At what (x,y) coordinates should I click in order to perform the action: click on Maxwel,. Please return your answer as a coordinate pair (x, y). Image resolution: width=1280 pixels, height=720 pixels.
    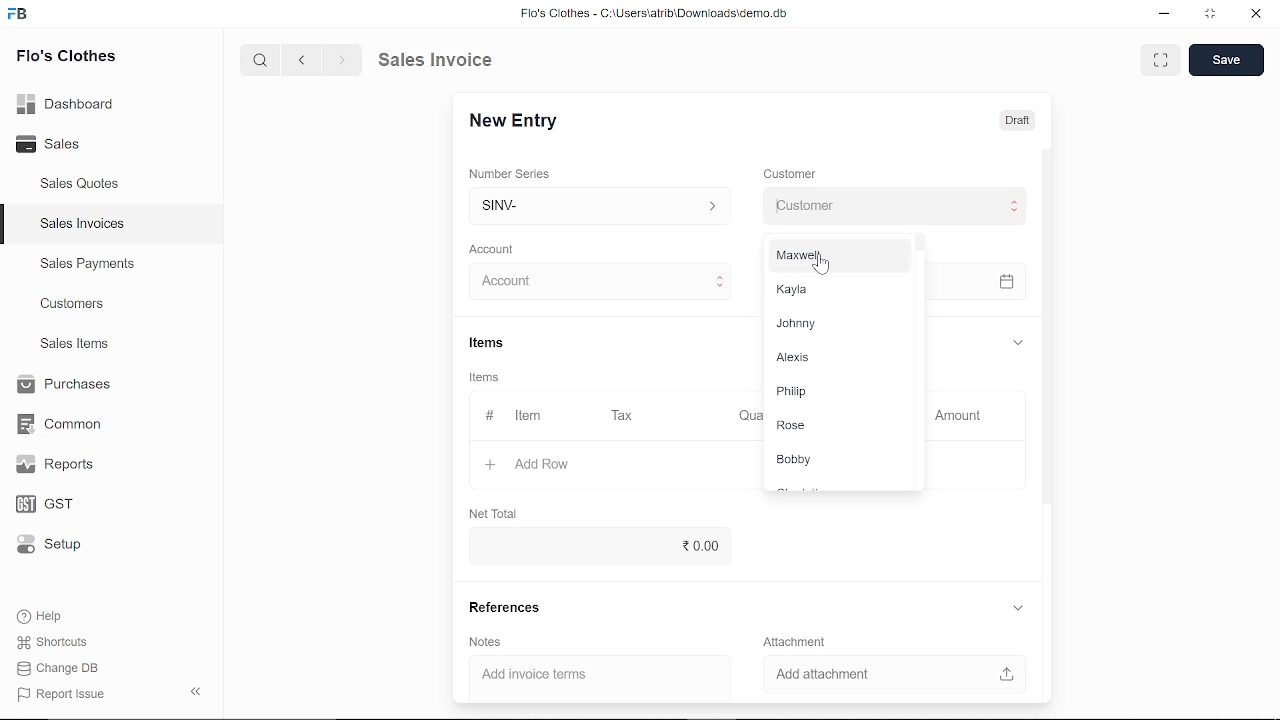
    Looking at the image, I should click on (841, 255).